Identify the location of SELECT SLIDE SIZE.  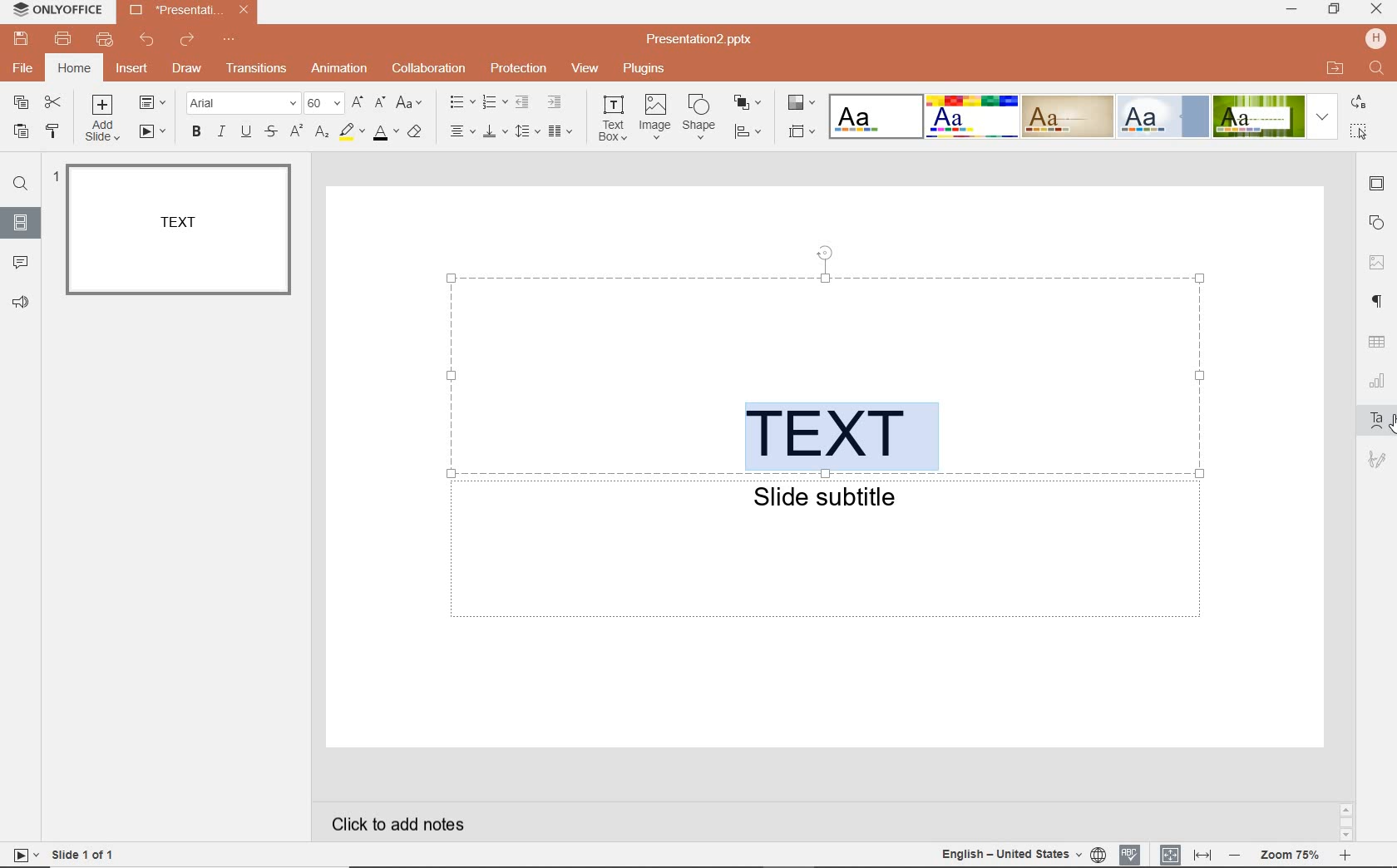
(802, 131).